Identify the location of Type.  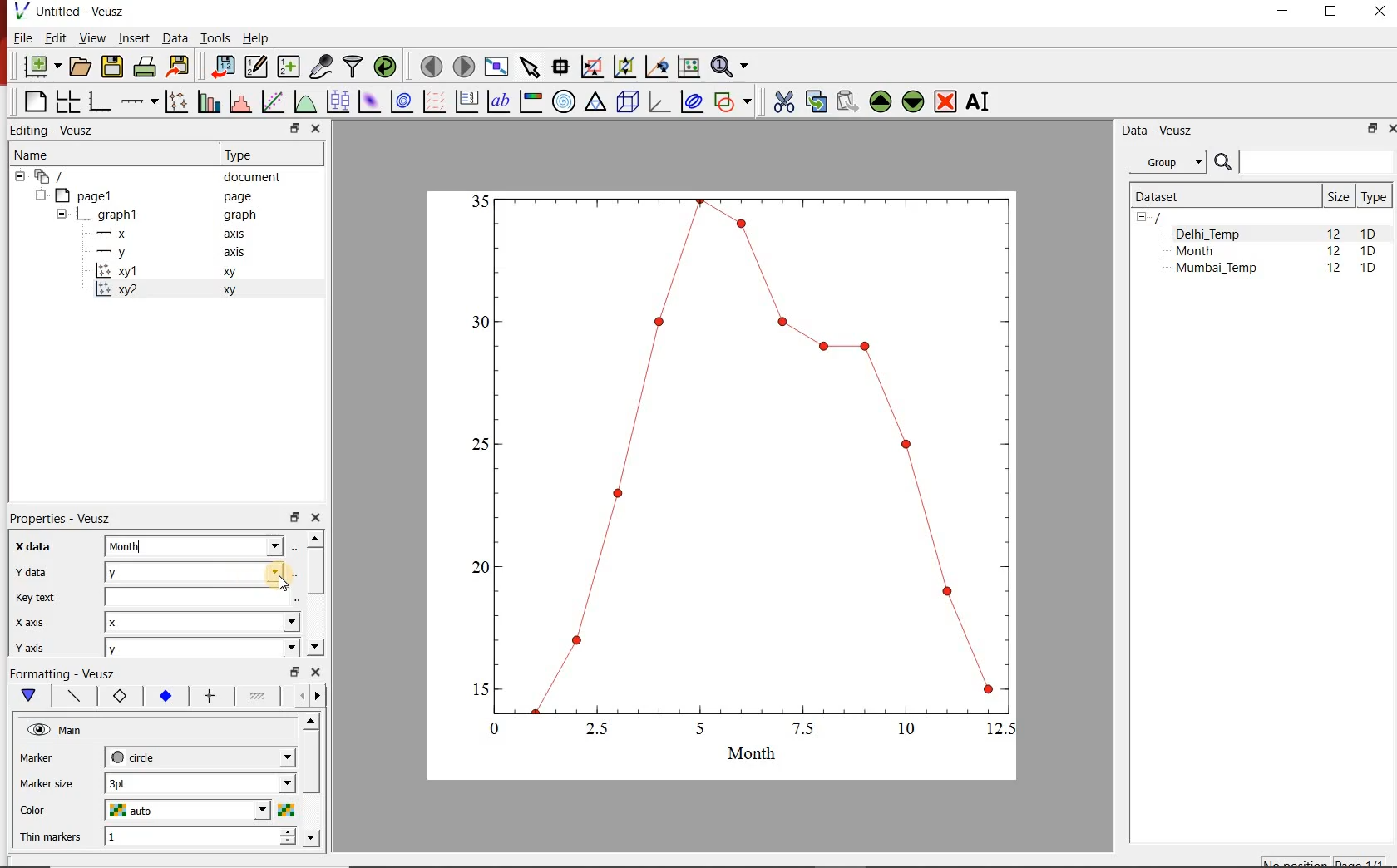
(1374, 196).